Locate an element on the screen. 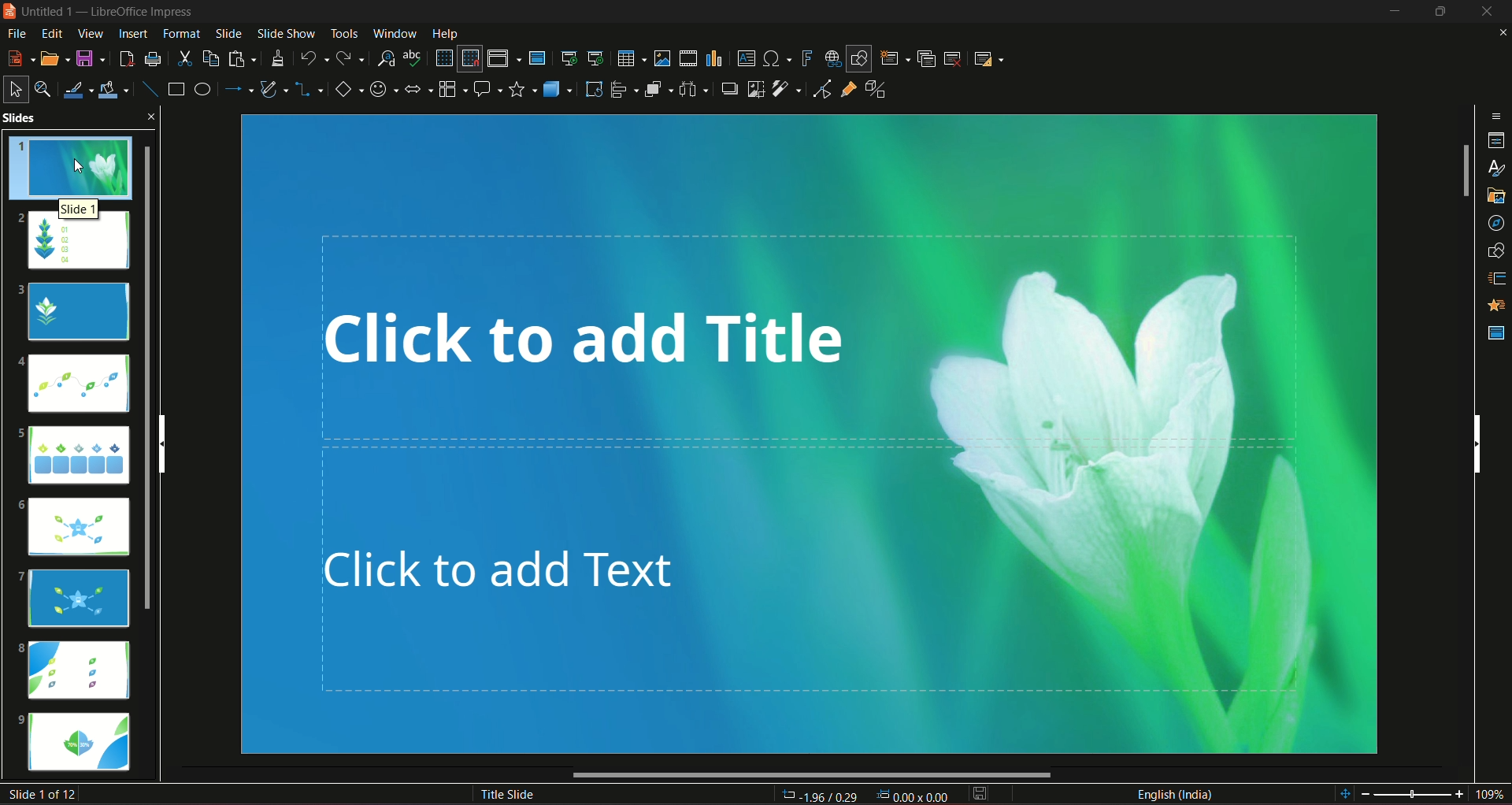 Image resolution: width=1512 pixels, height=805 pixels. cursor description is located at coordinates (80, 209).